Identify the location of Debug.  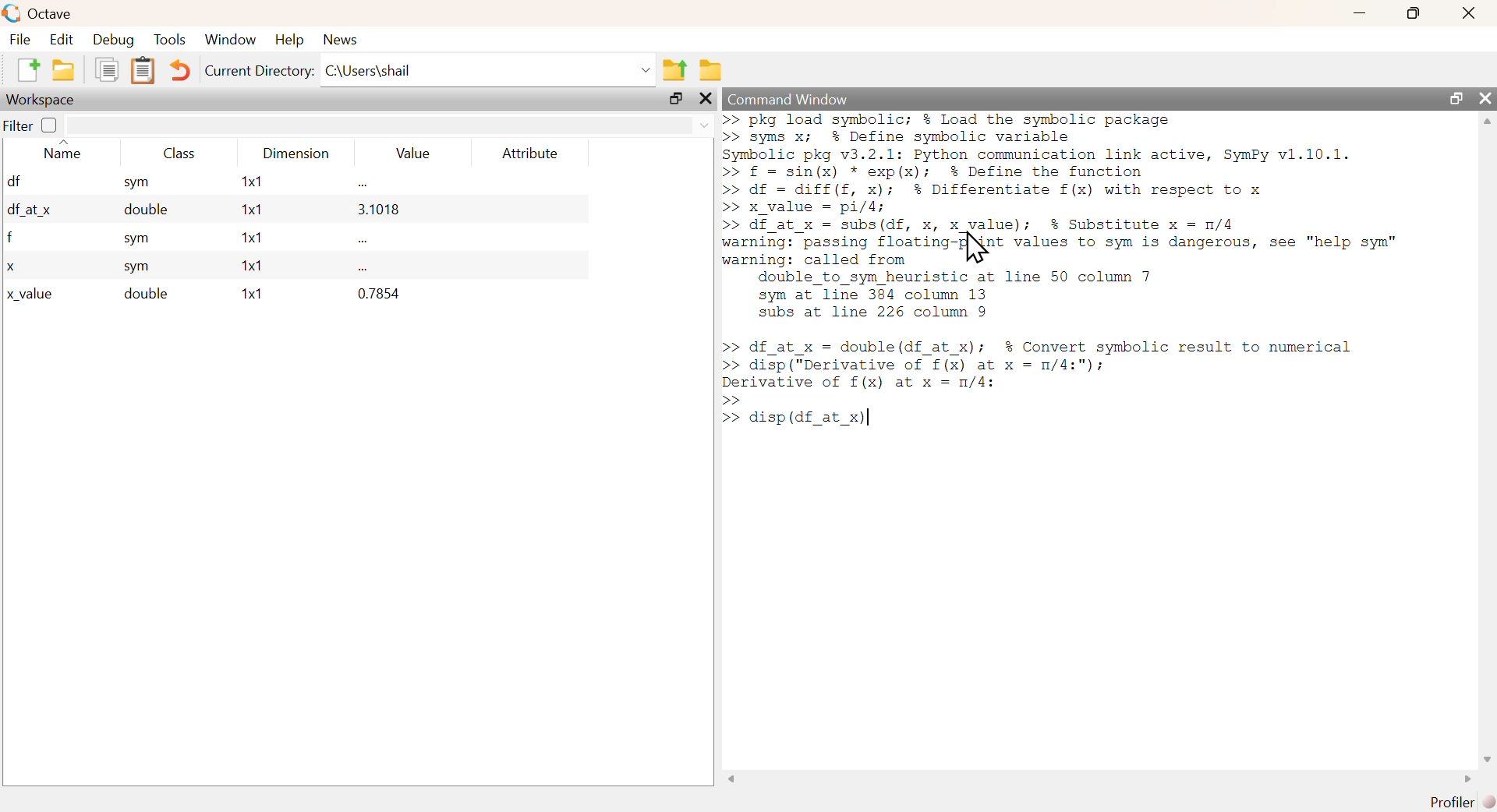
(112, 41).